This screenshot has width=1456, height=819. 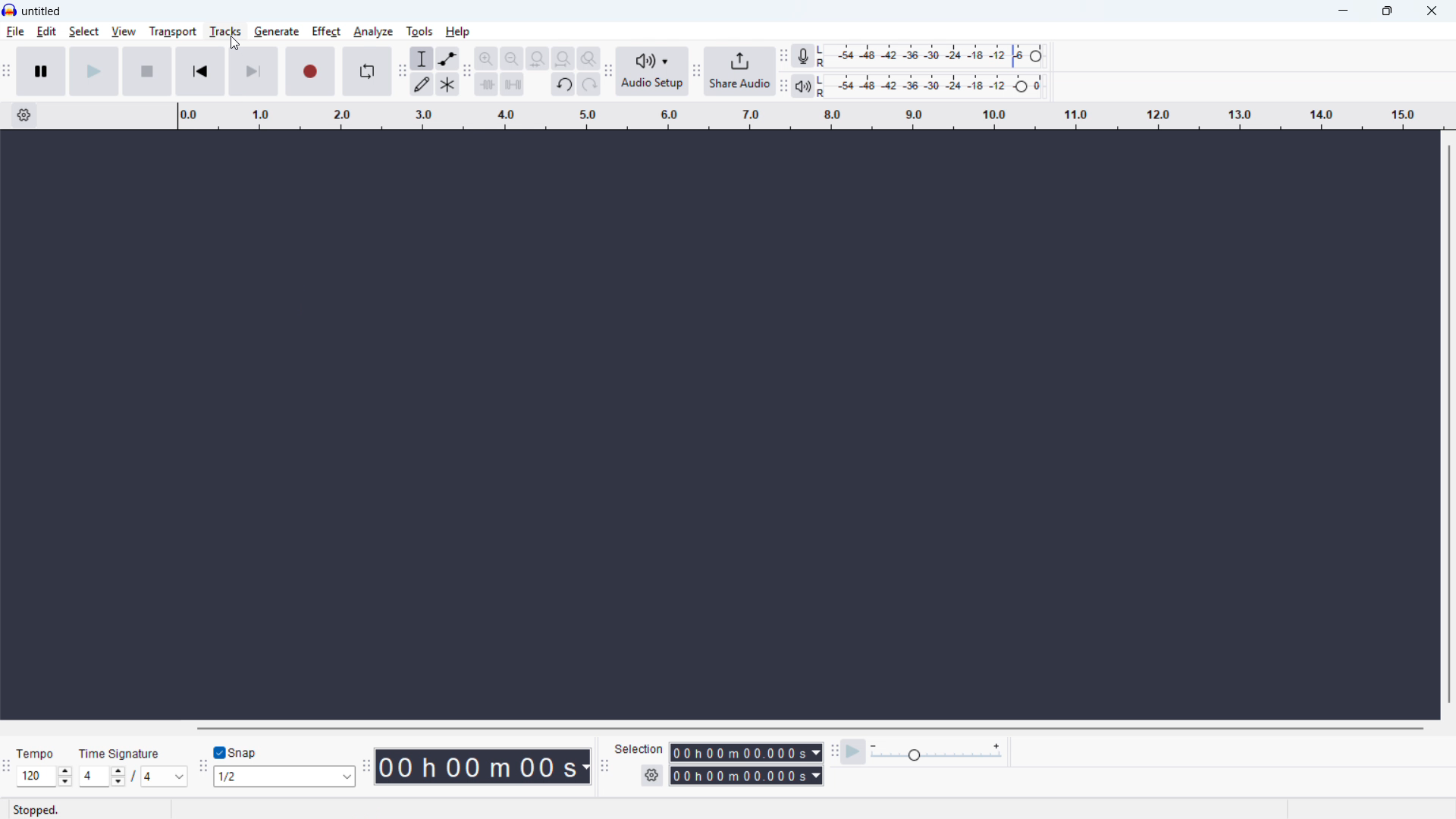 I want to click on Play back speed , so click(x=936, y=753).